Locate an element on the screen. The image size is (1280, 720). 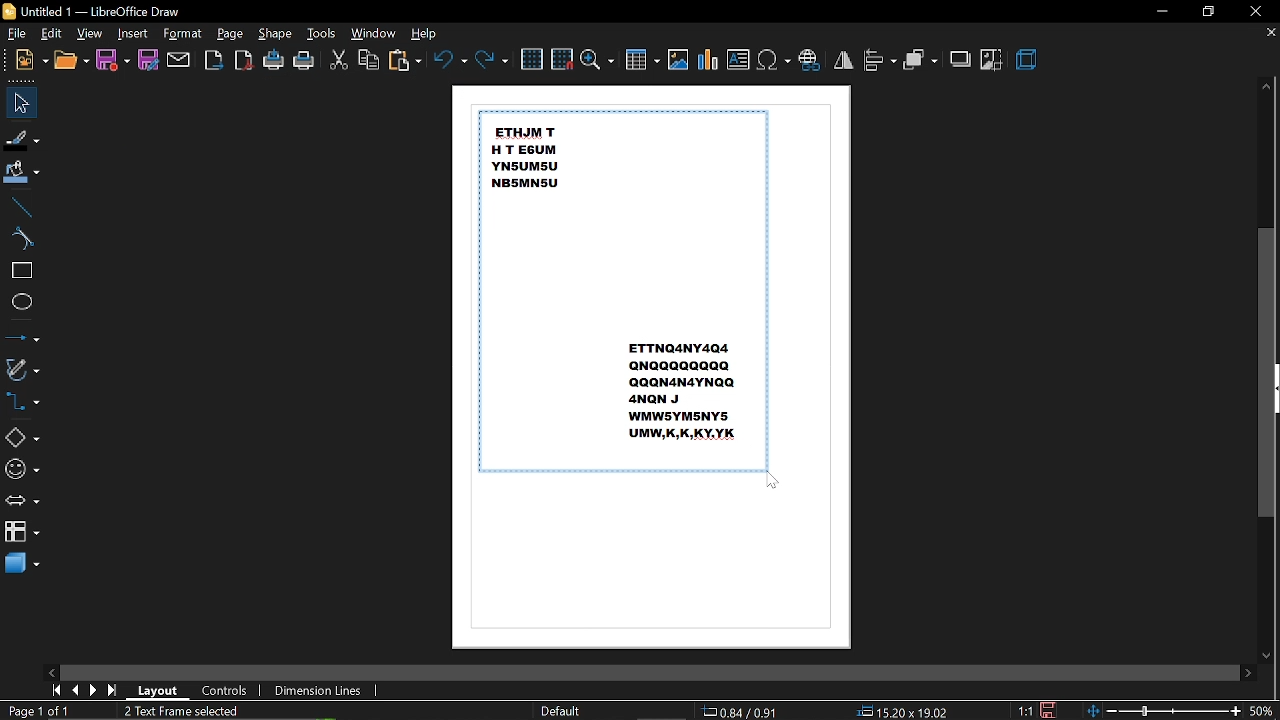
insert symbol is located at coordinates (773, 60).